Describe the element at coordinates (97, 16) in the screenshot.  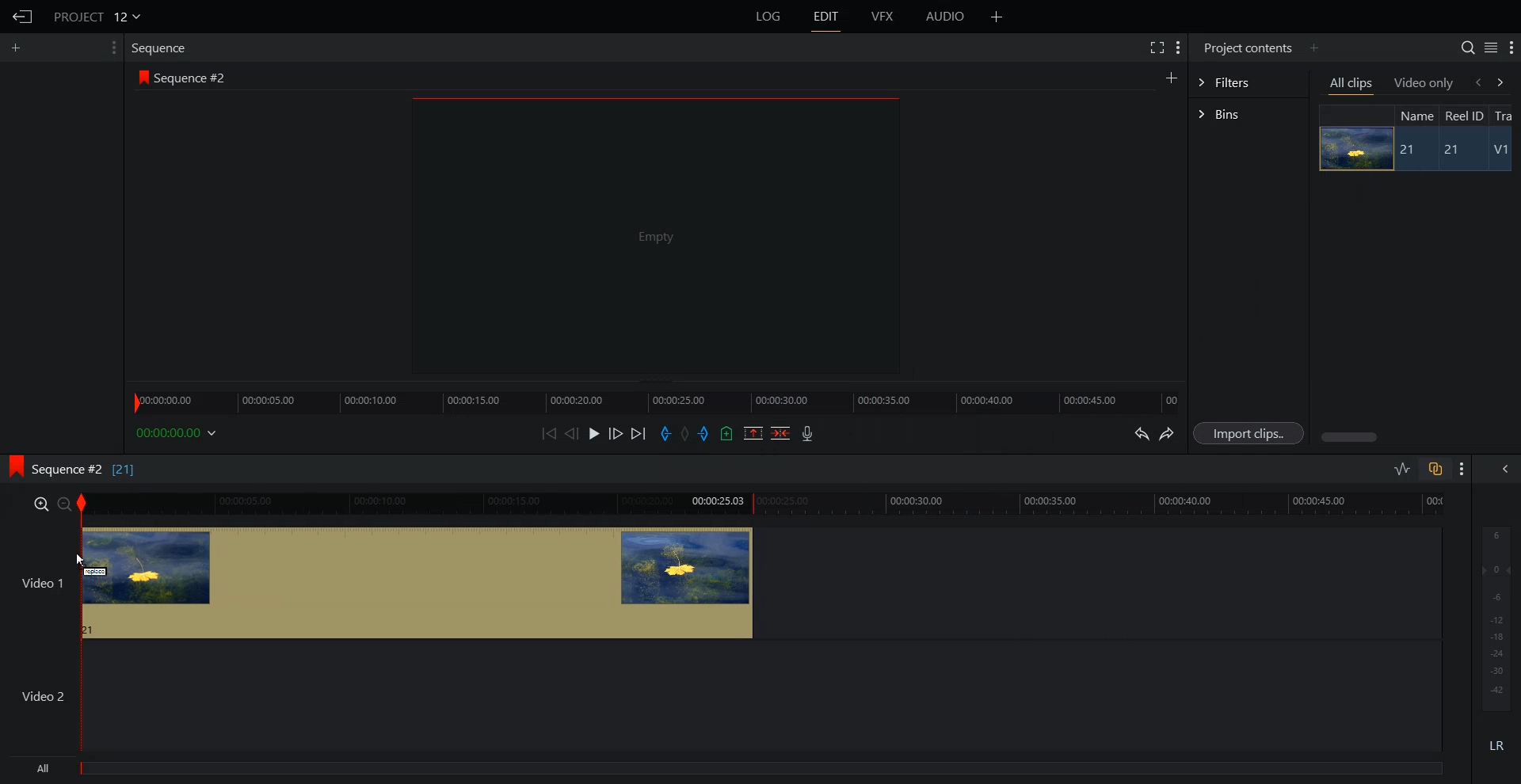
I see `PROJECT 12` at that location.